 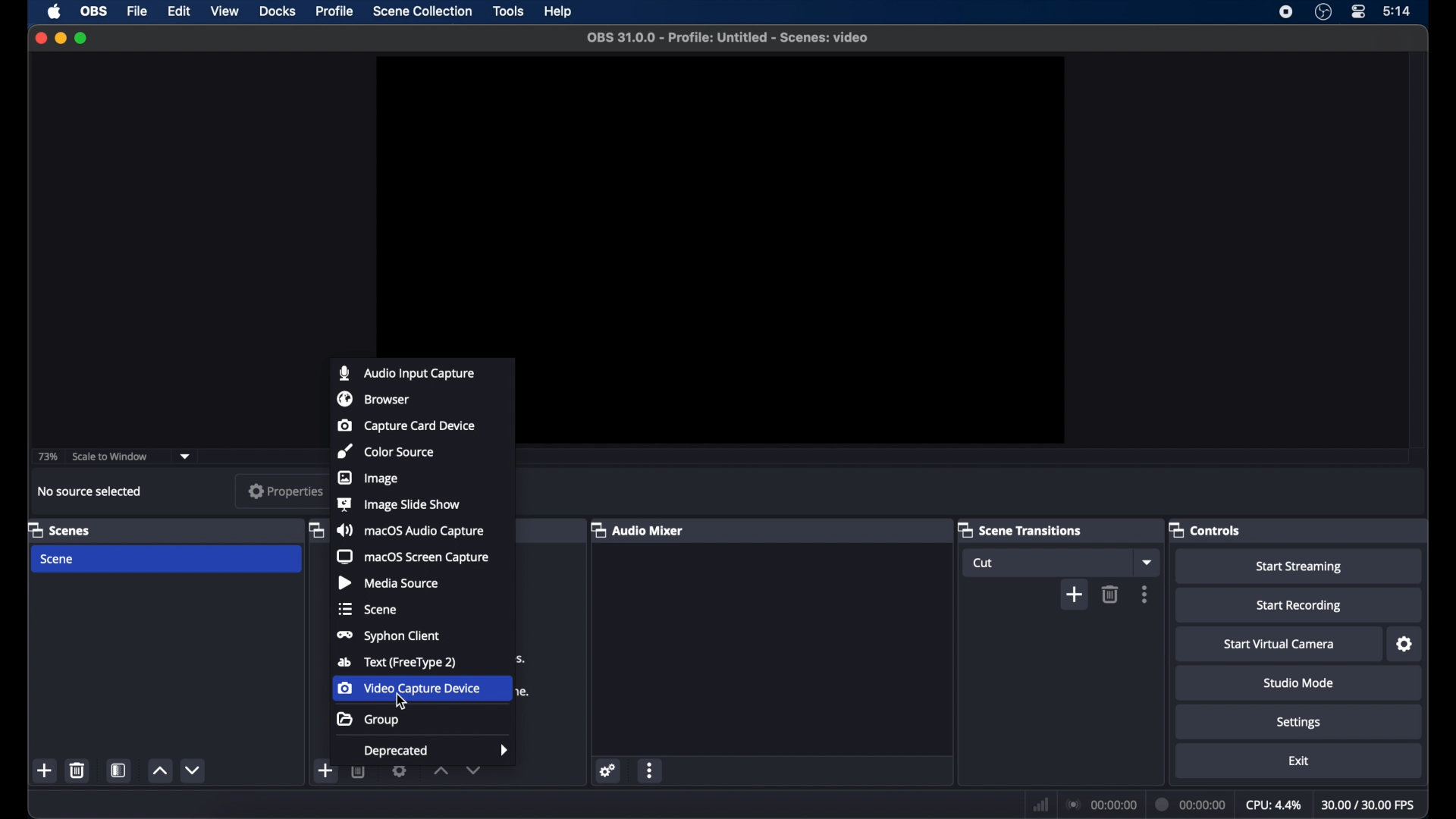 What do you see at coordinates (278, 11) in the screenshot?
I see `docks` at bounding box center [278, 11].